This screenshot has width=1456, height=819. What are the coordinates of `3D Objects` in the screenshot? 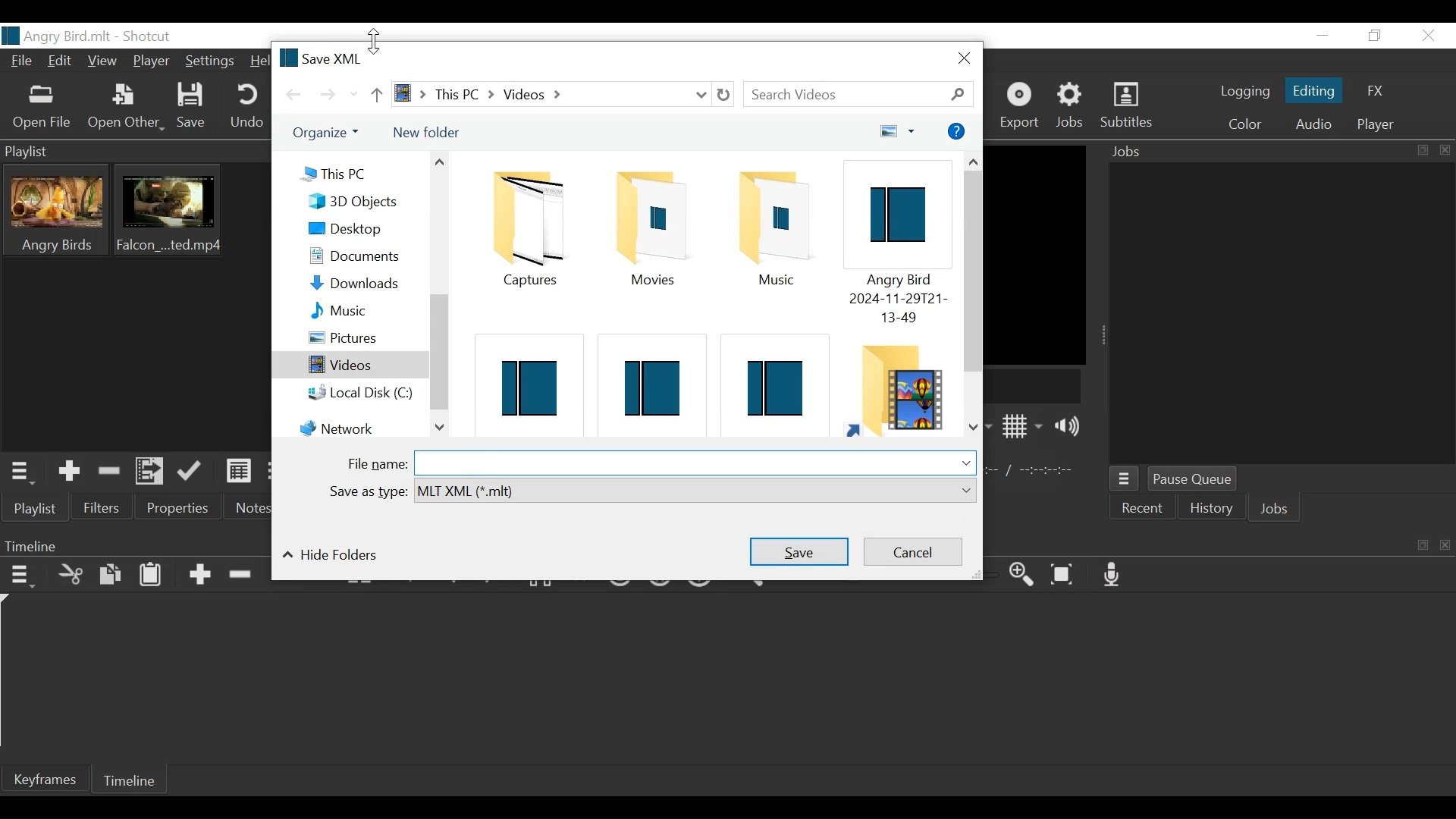 It's located at (362, 202).